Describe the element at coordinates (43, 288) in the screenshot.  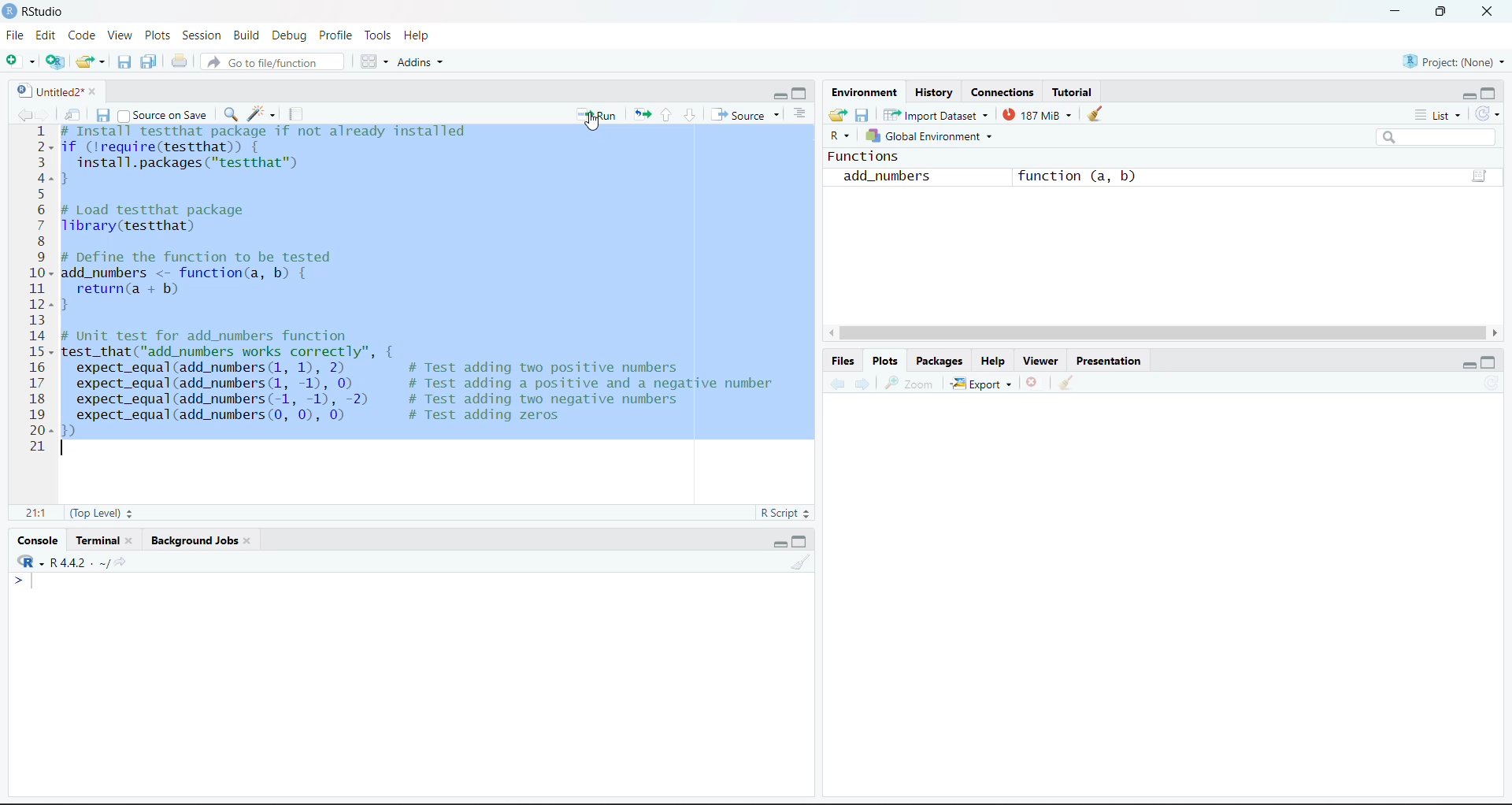
I see `line number` at that location.